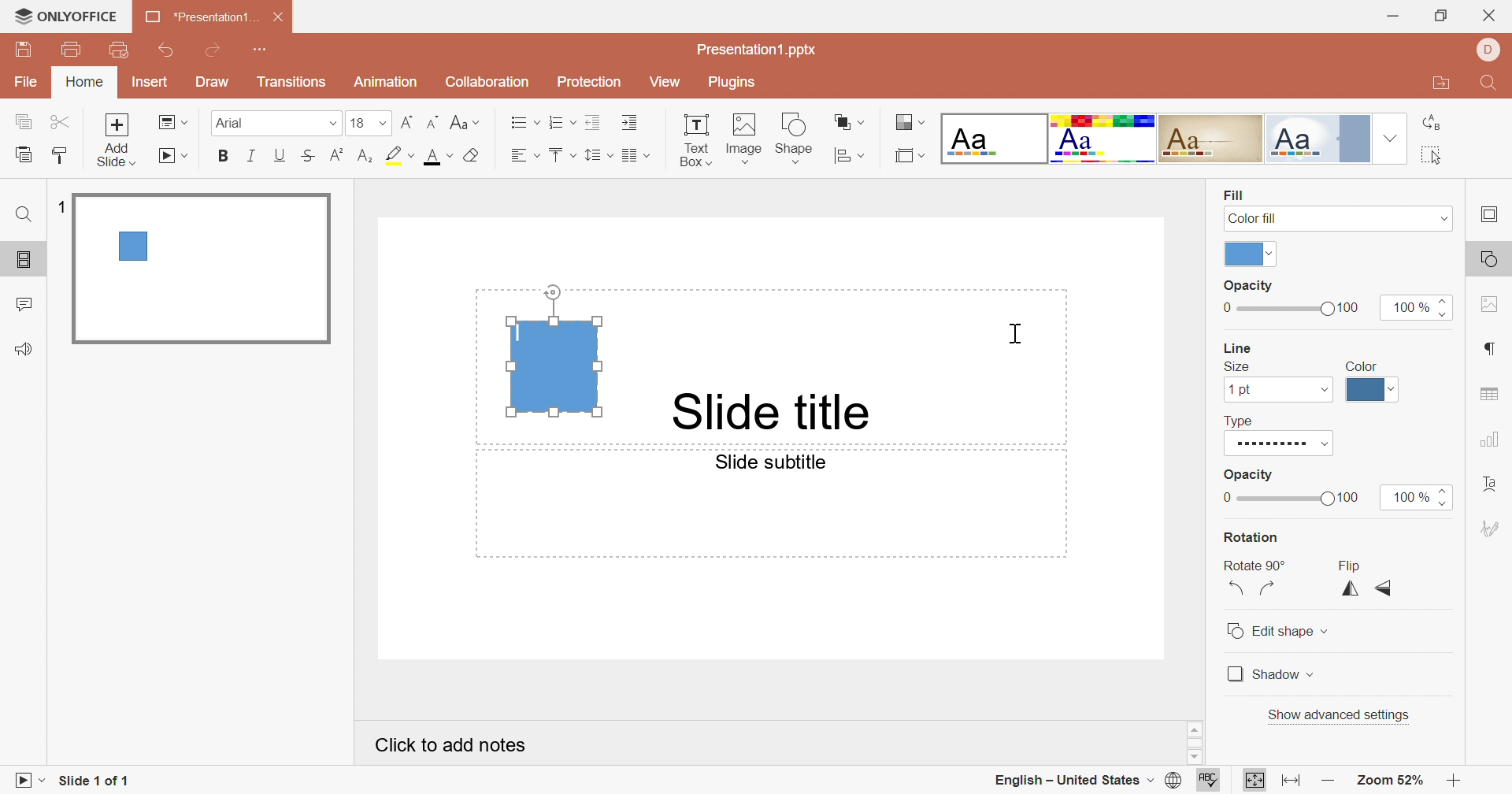 Image resolution: width=1512 pixels, height=794 pixels. What do you see at coordinates (1324, 390) in the screenshot?
I see `Drop Down` at bounding box center [1324, 390].